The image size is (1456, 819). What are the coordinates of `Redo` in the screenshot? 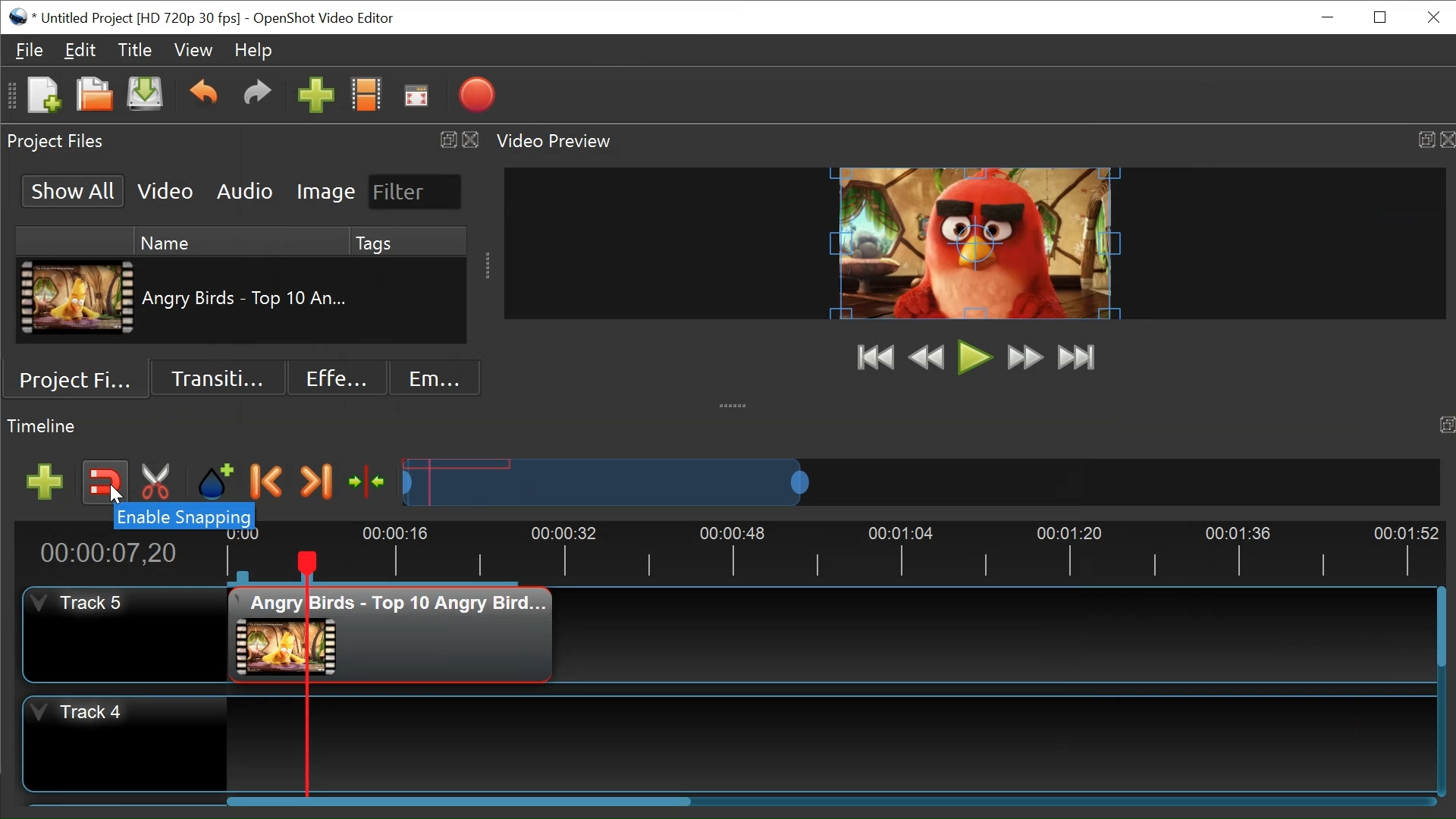 It's located at (256, 98).